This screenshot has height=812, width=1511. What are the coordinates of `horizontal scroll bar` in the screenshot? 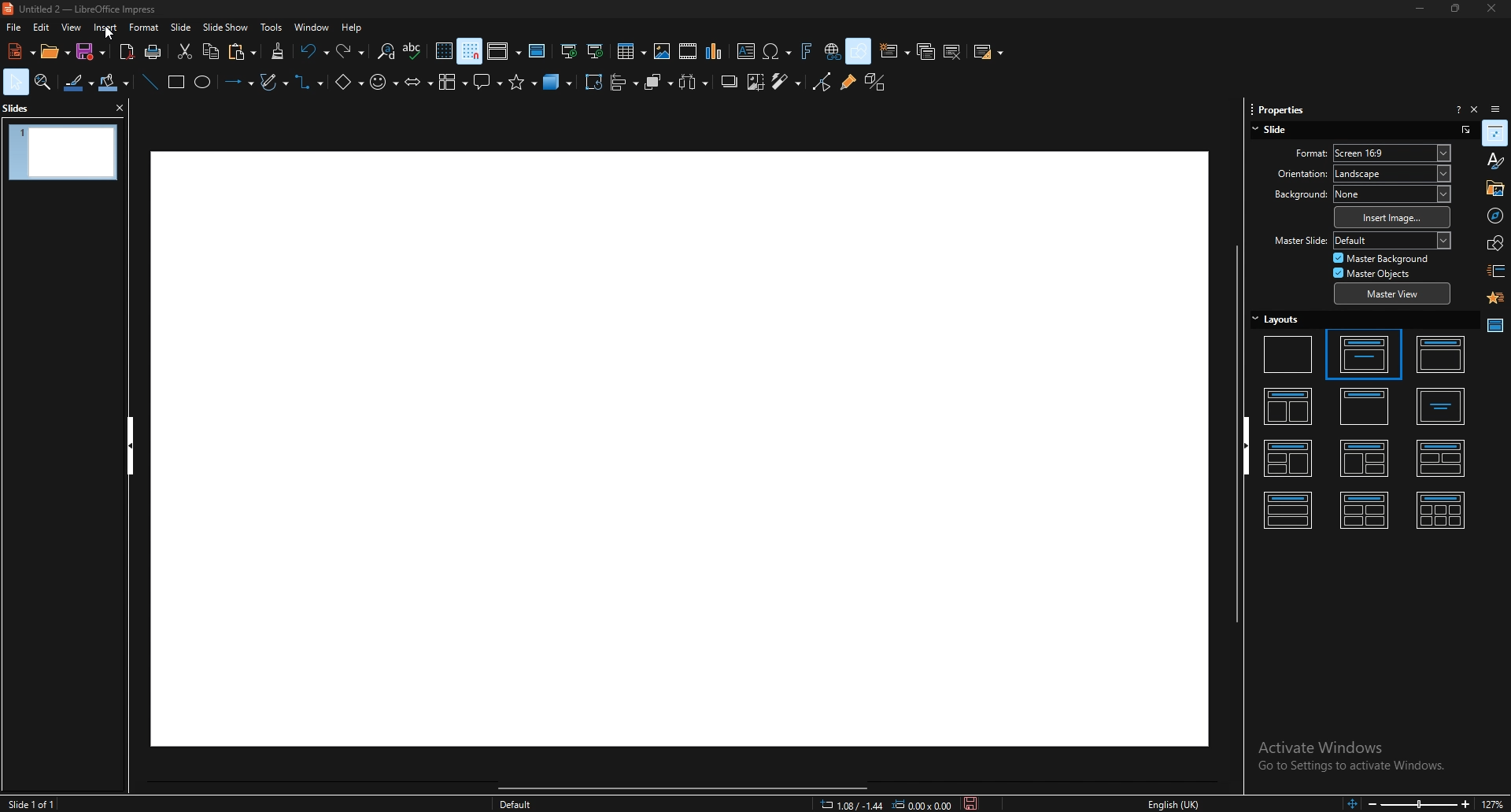 It's located at (690, 786).